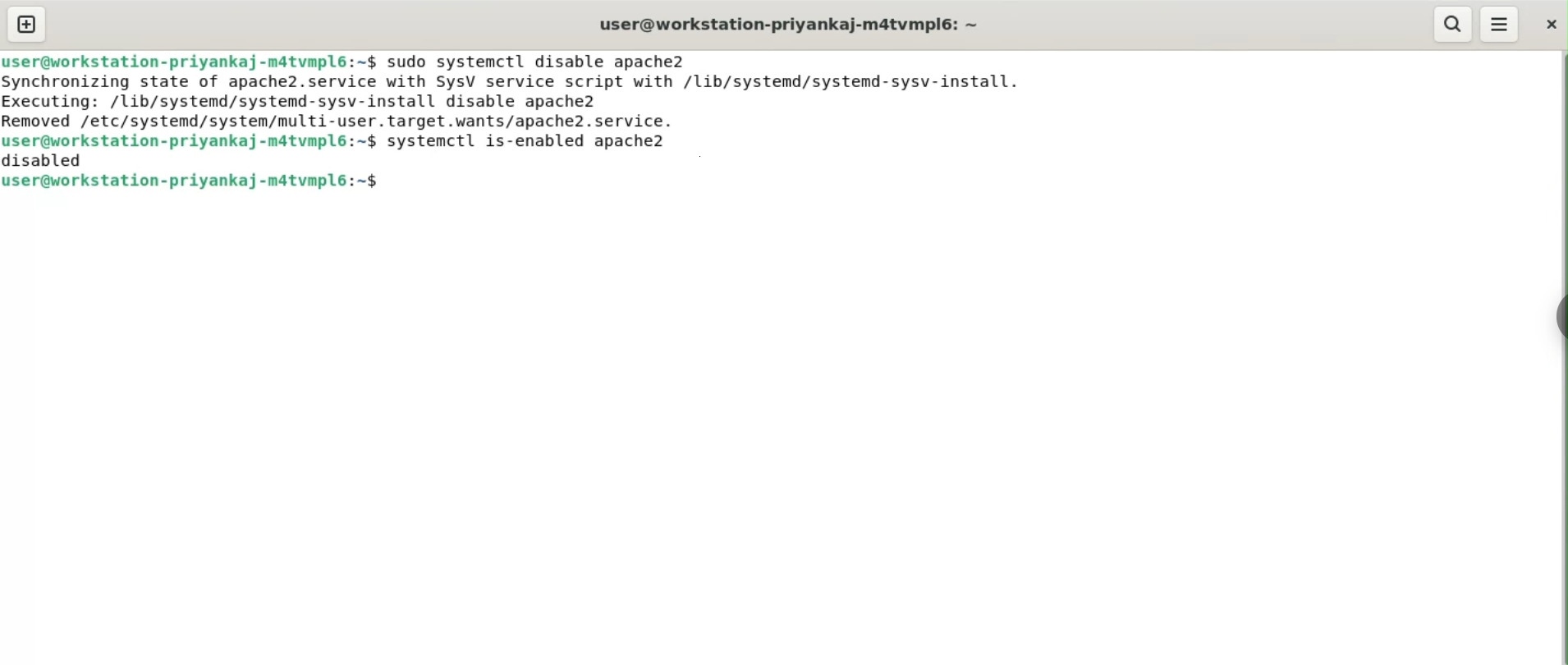  I want to click on Synchronizing state of apache2.service with SysV service script with /lib/systemd/systemd-sysv-install.
Executing: /lib/systemd/systemd-sysv-install disable apache2
Removed /etc/svstemd/svstem/multi-user.taraget.wants/apache?2.service., so click(530, 100).